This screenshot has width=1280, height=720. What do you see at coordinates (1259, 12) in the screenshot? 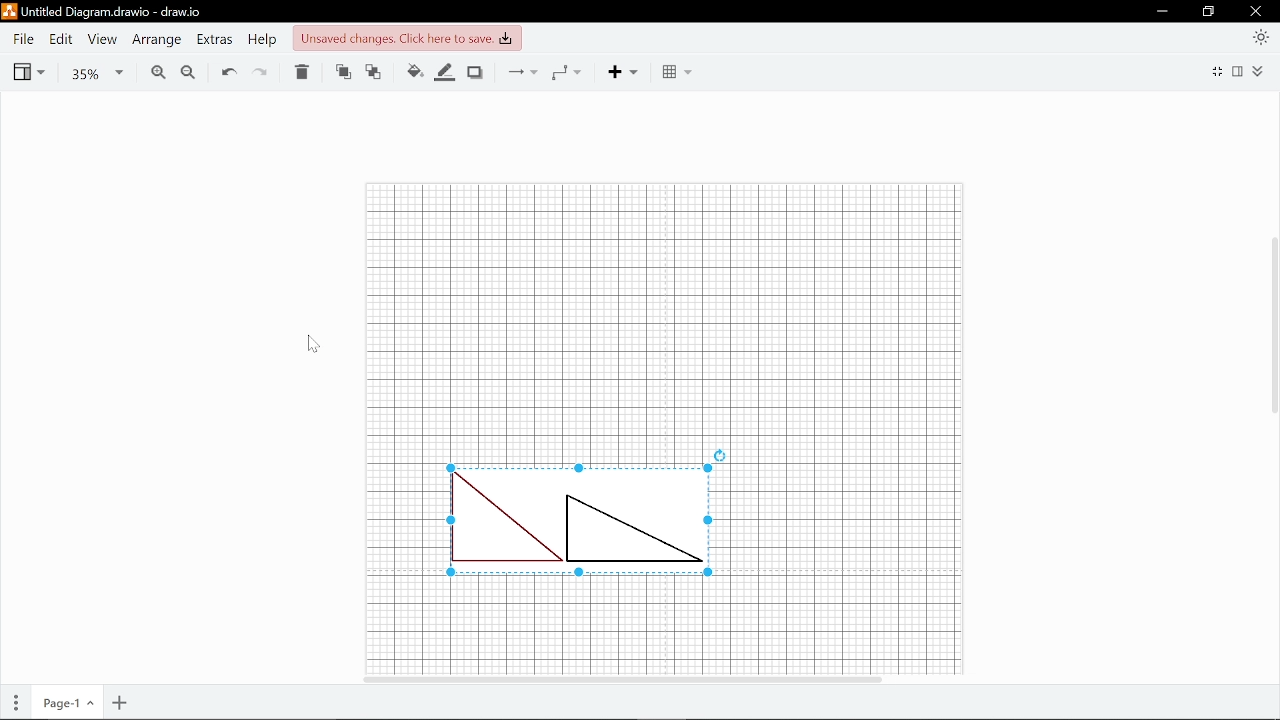
I see `Close` at bounding box center [1259, 12].